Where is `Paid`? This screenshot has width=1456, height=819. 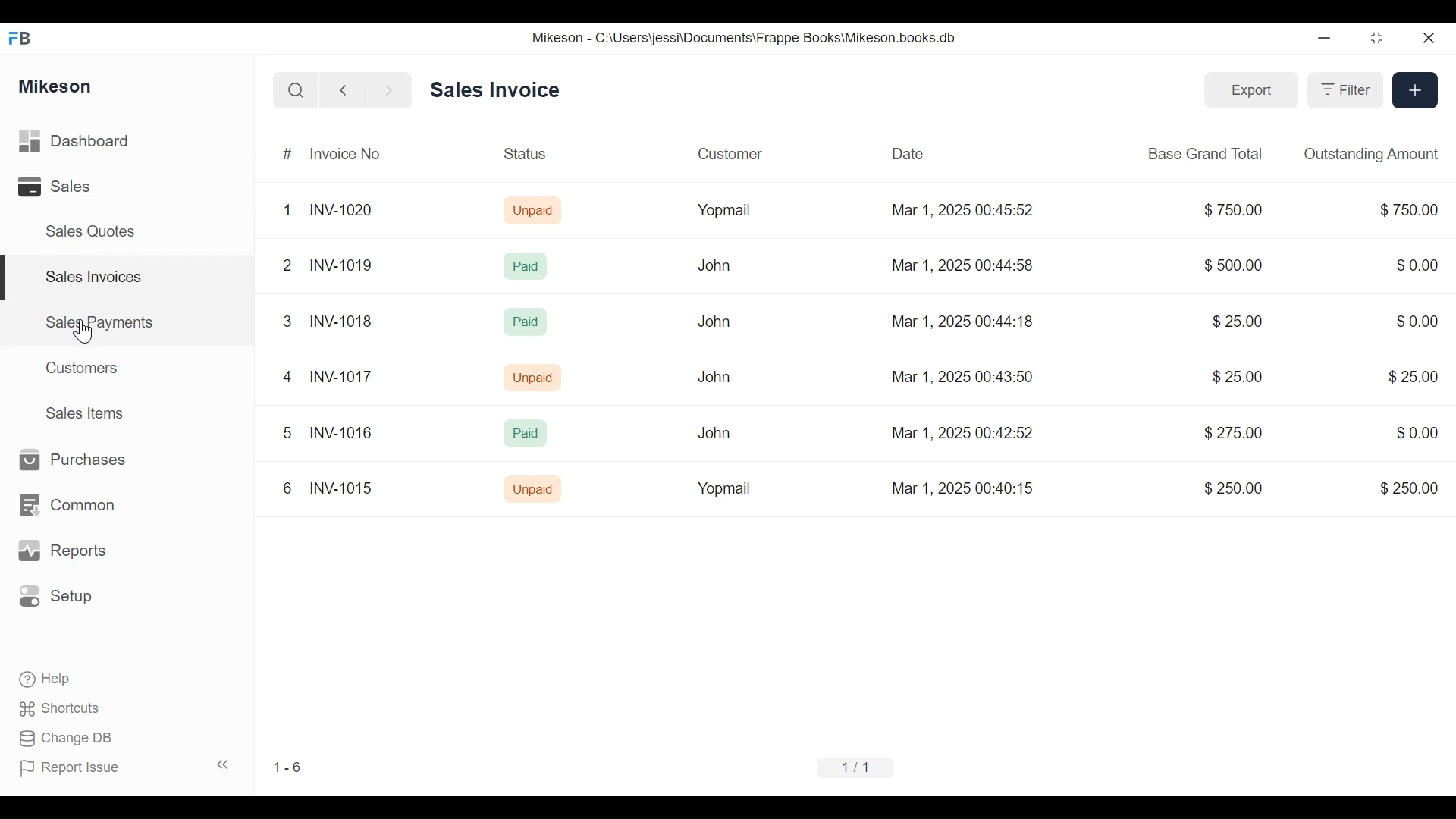
Paid is located at coordinates (524, 268).